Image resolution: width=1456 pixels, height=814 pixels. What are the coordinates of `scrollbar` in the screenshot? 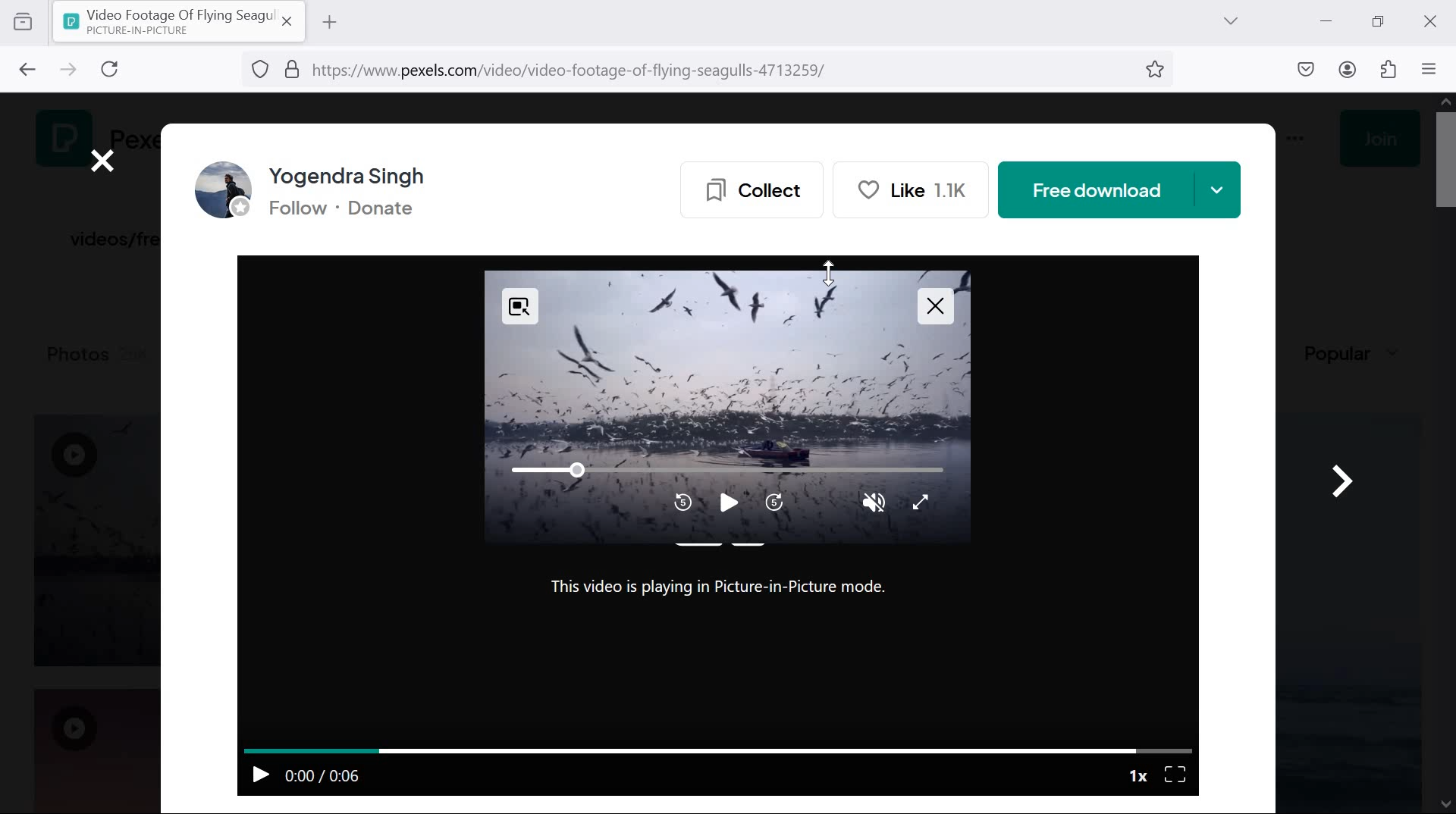 It's located at (1443, 456).